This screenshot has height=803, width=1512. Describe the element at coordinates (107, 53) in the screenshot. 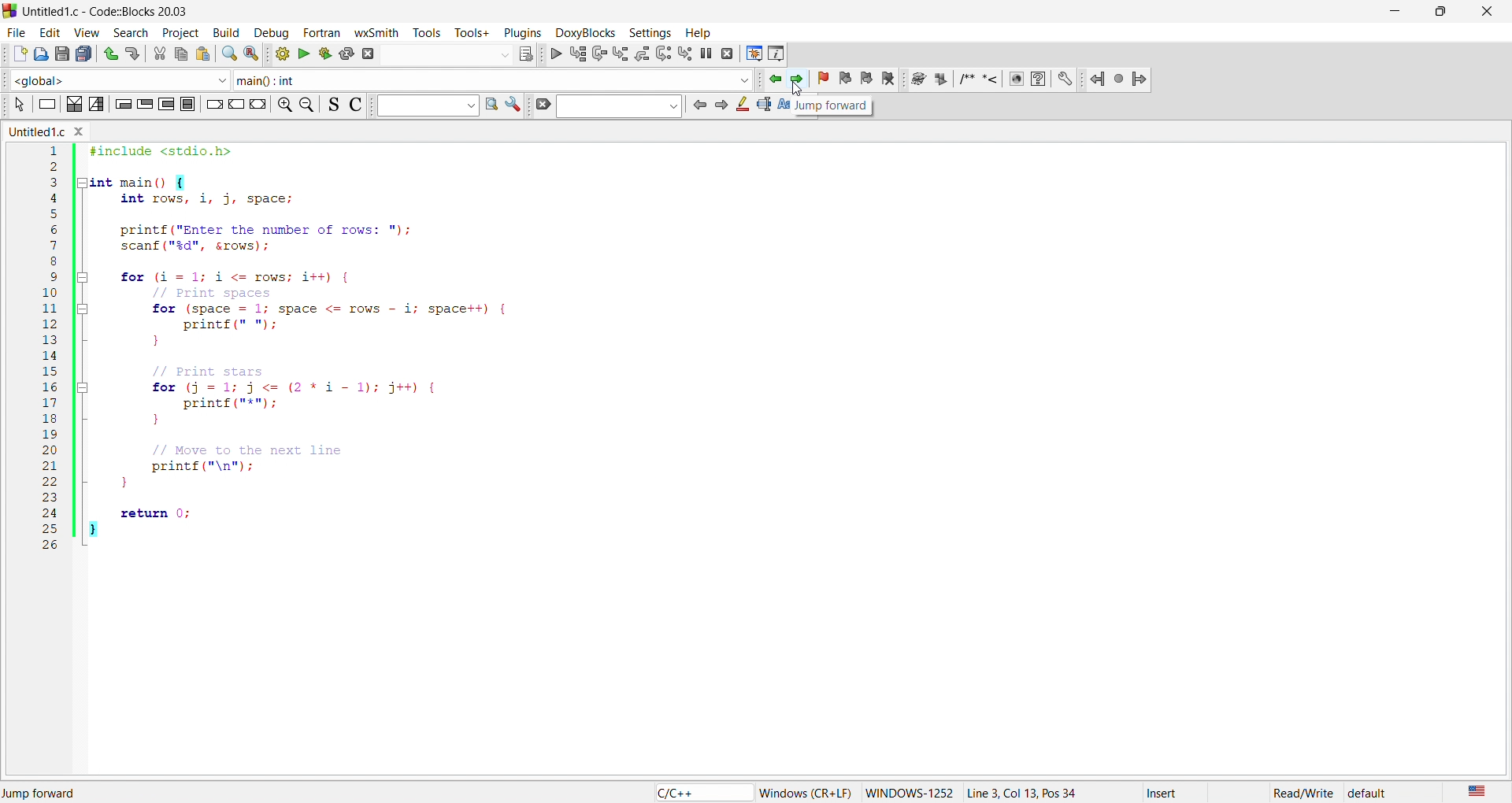

I see `undo` at that location.